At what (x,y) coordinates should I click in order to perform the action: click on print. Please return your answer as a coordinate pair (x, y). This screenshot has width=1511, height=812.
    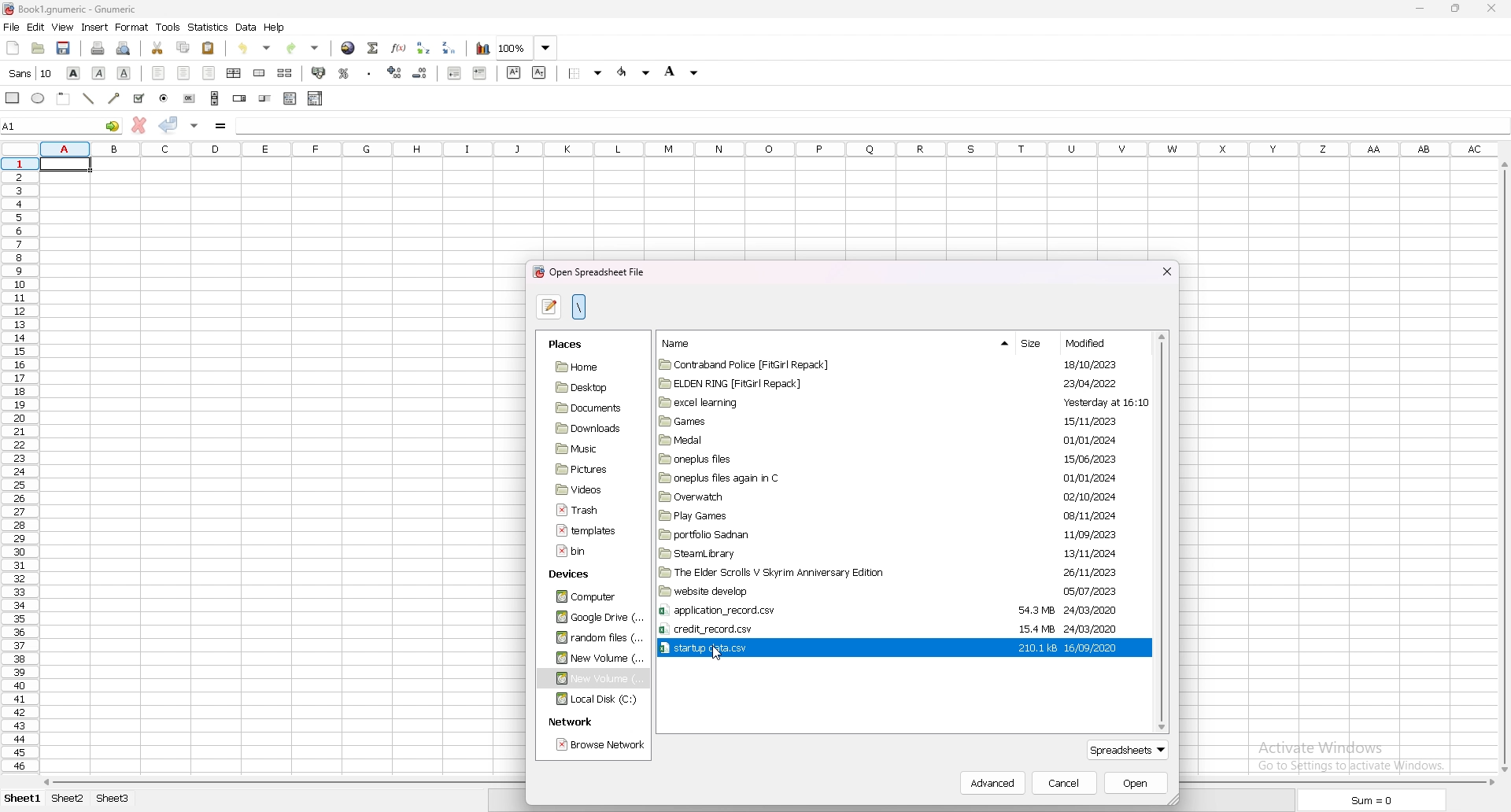
    Looking at the image, I should click on (98, 47).